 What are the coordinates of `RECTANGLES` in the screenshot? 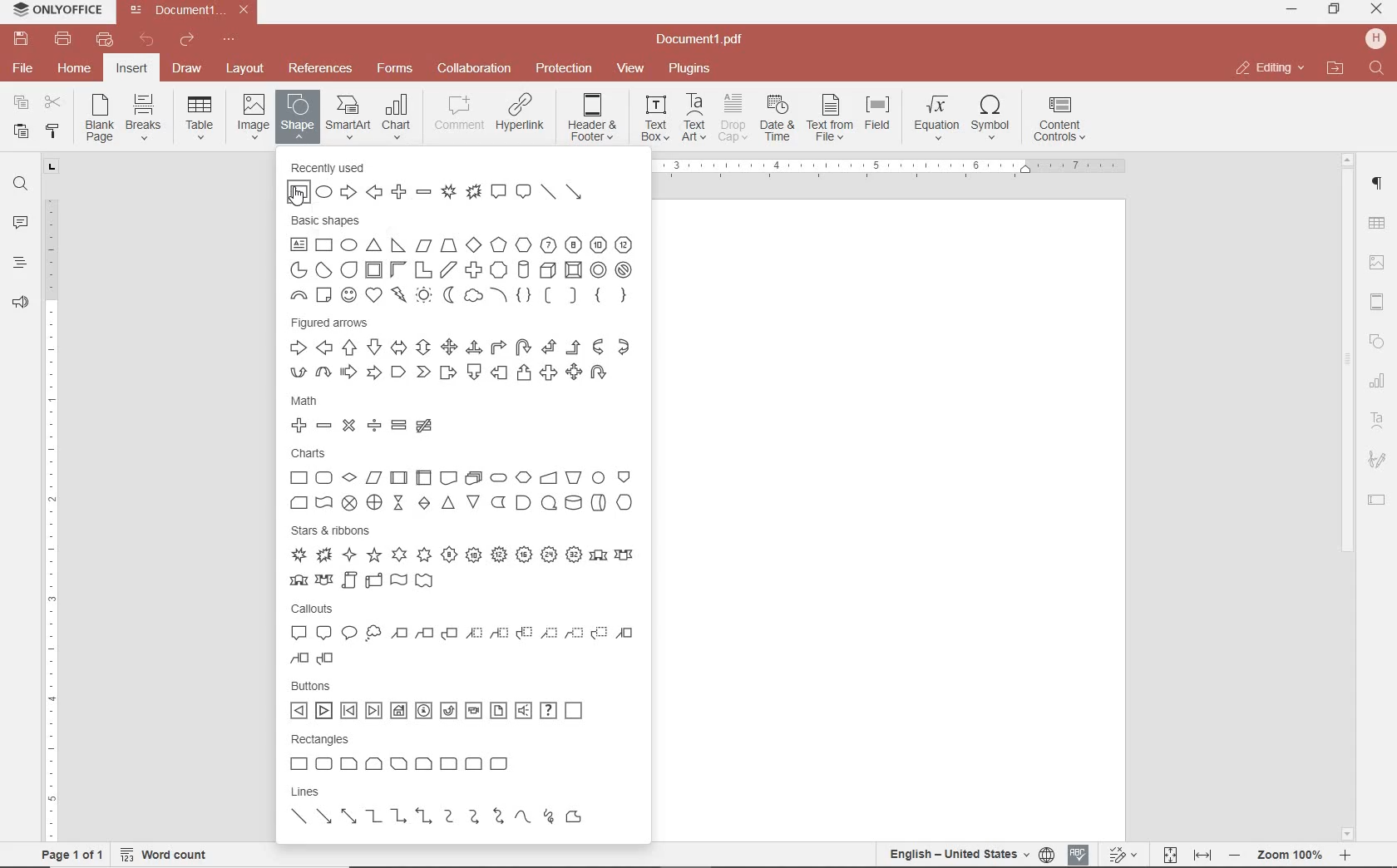 It's located at (399, 752).